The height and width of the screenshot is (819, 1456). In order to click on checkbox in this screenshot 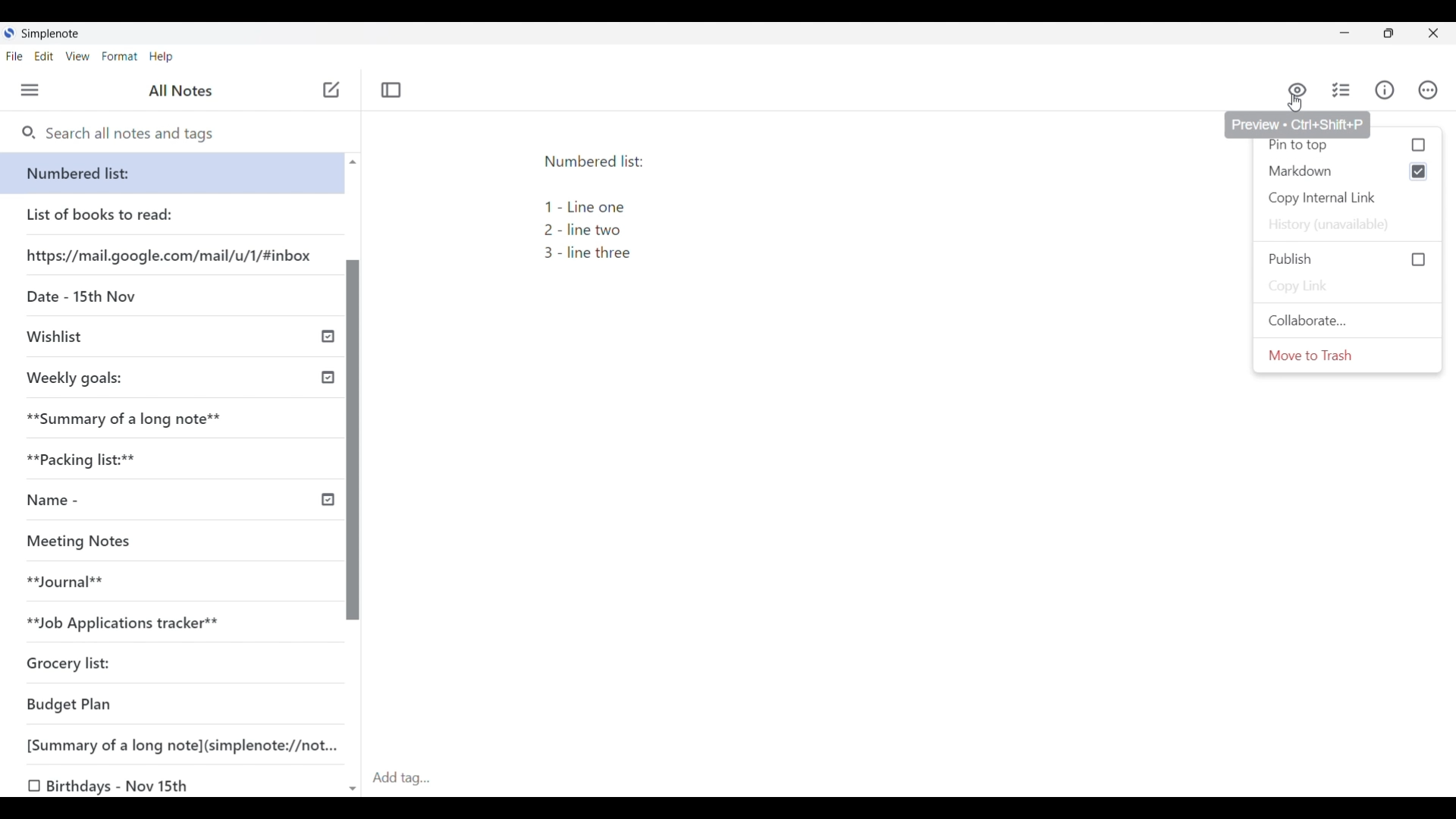, I will do `click(1416, 144)`.